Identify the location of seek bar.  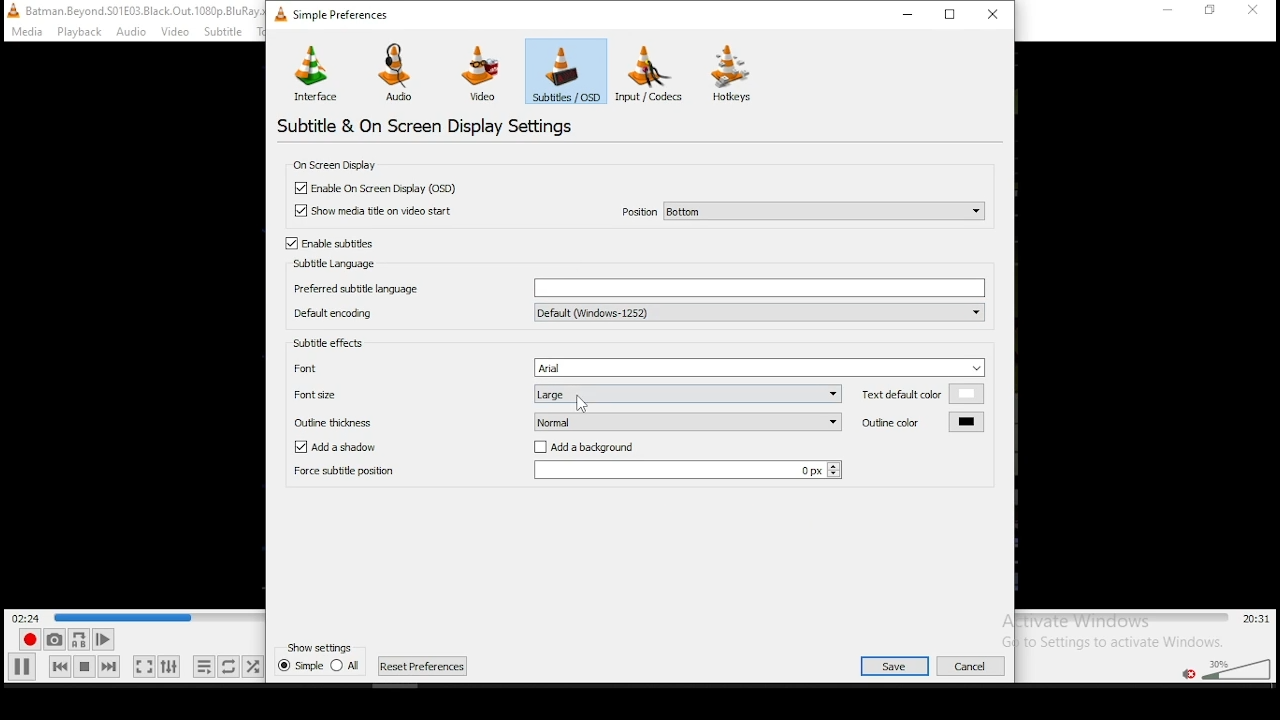
(1123, 618).